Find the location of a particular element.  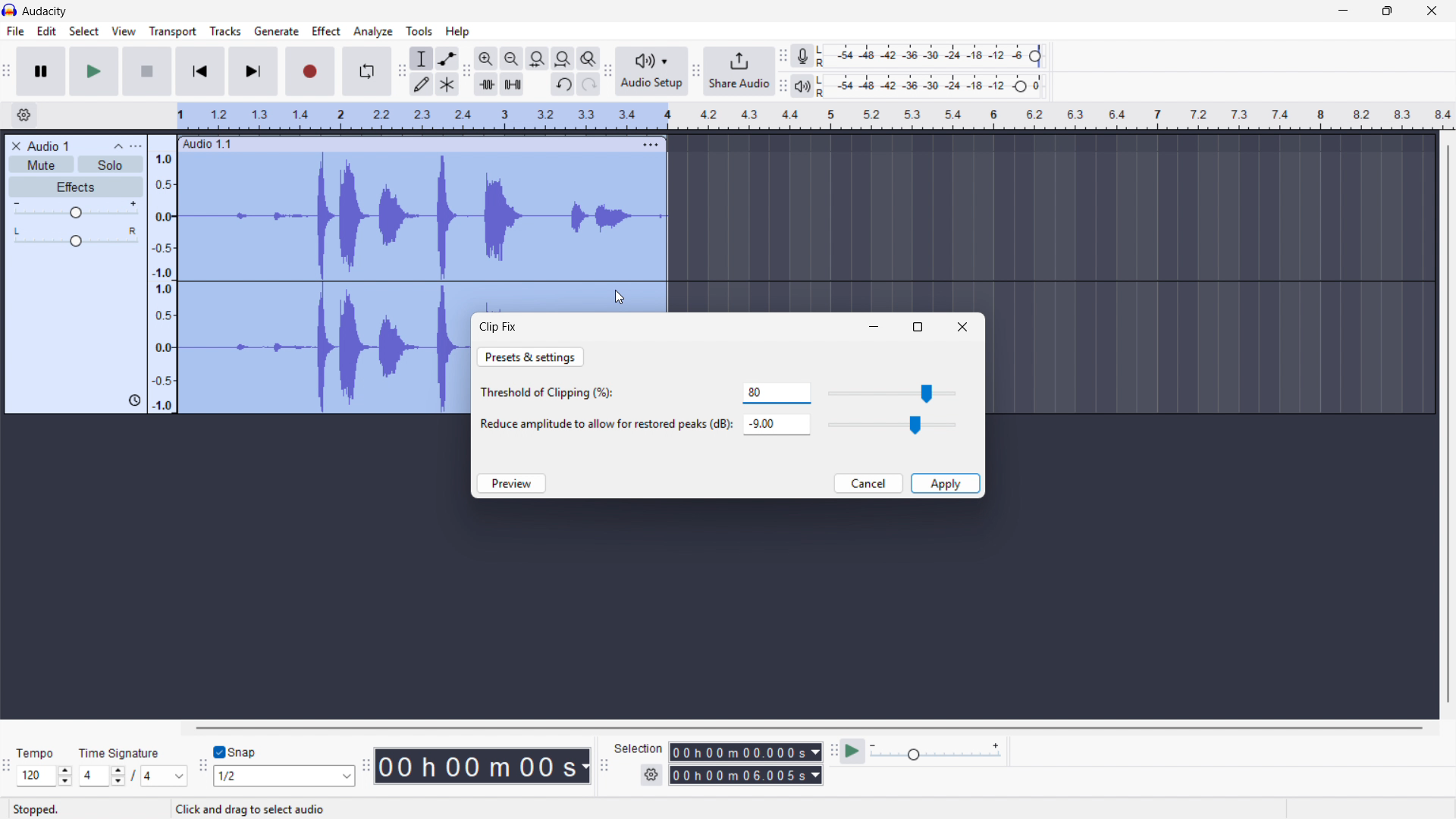

file  is located at coordinates (14, 31).